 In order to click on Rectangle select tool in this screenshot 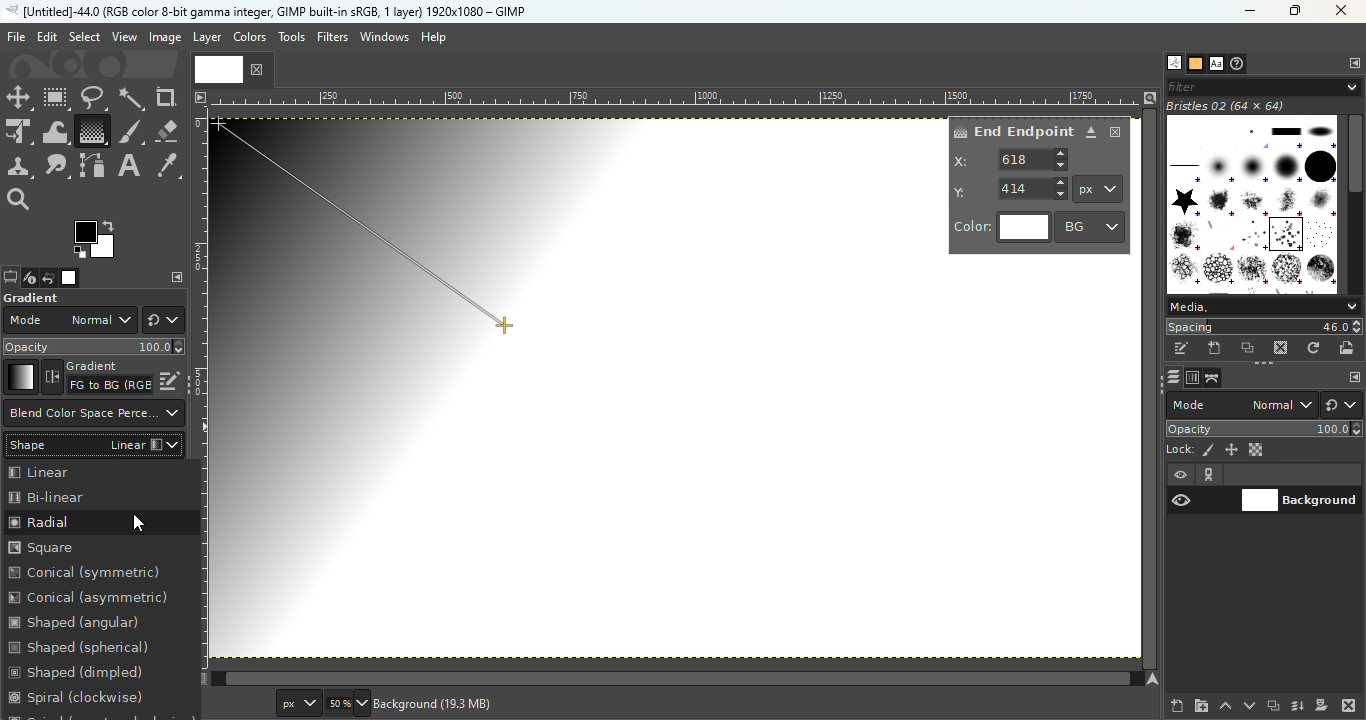, I will do `click(57, 99)`.